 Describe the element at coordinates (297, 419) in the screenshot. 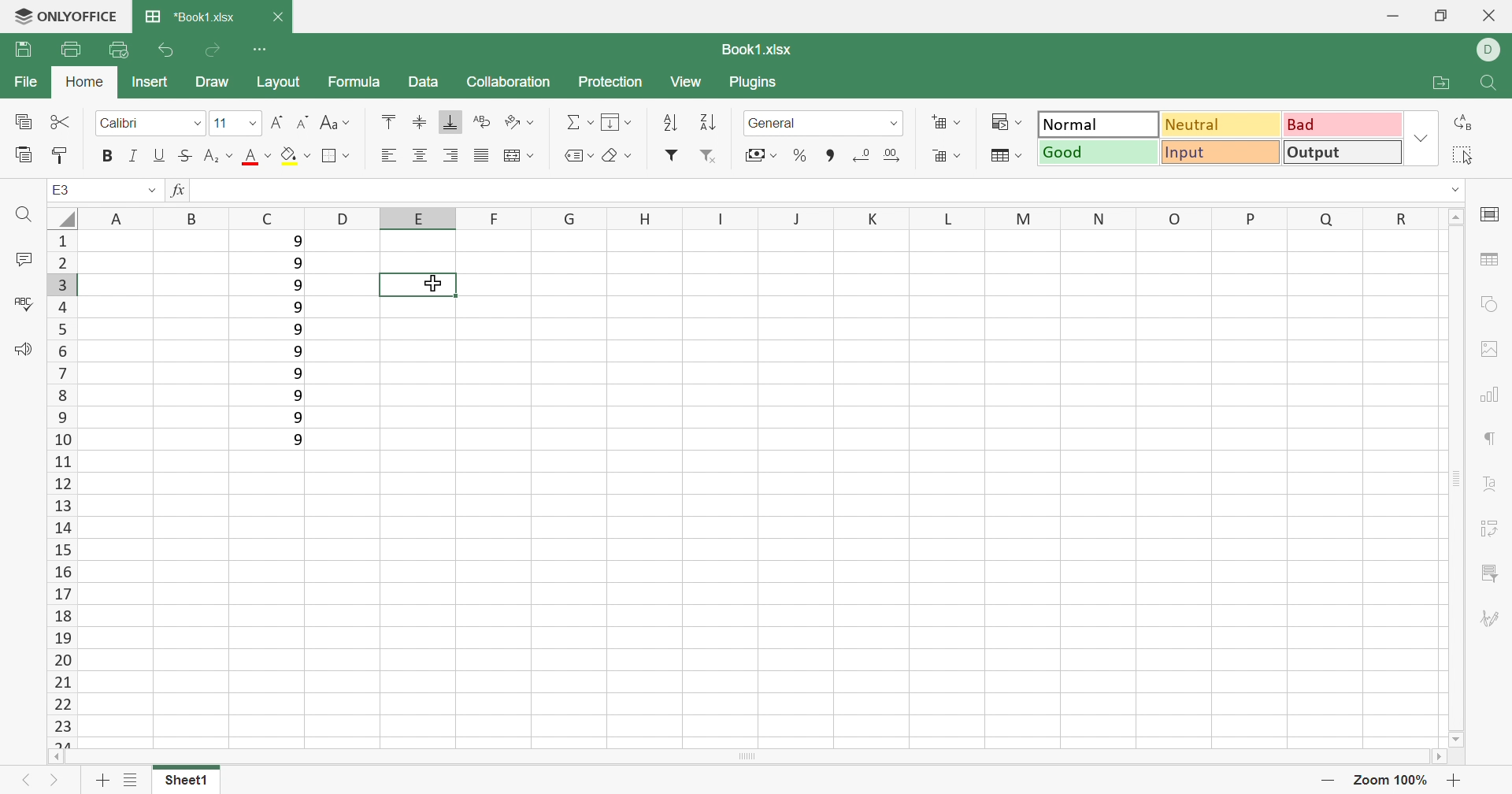

I see `9` at that location.